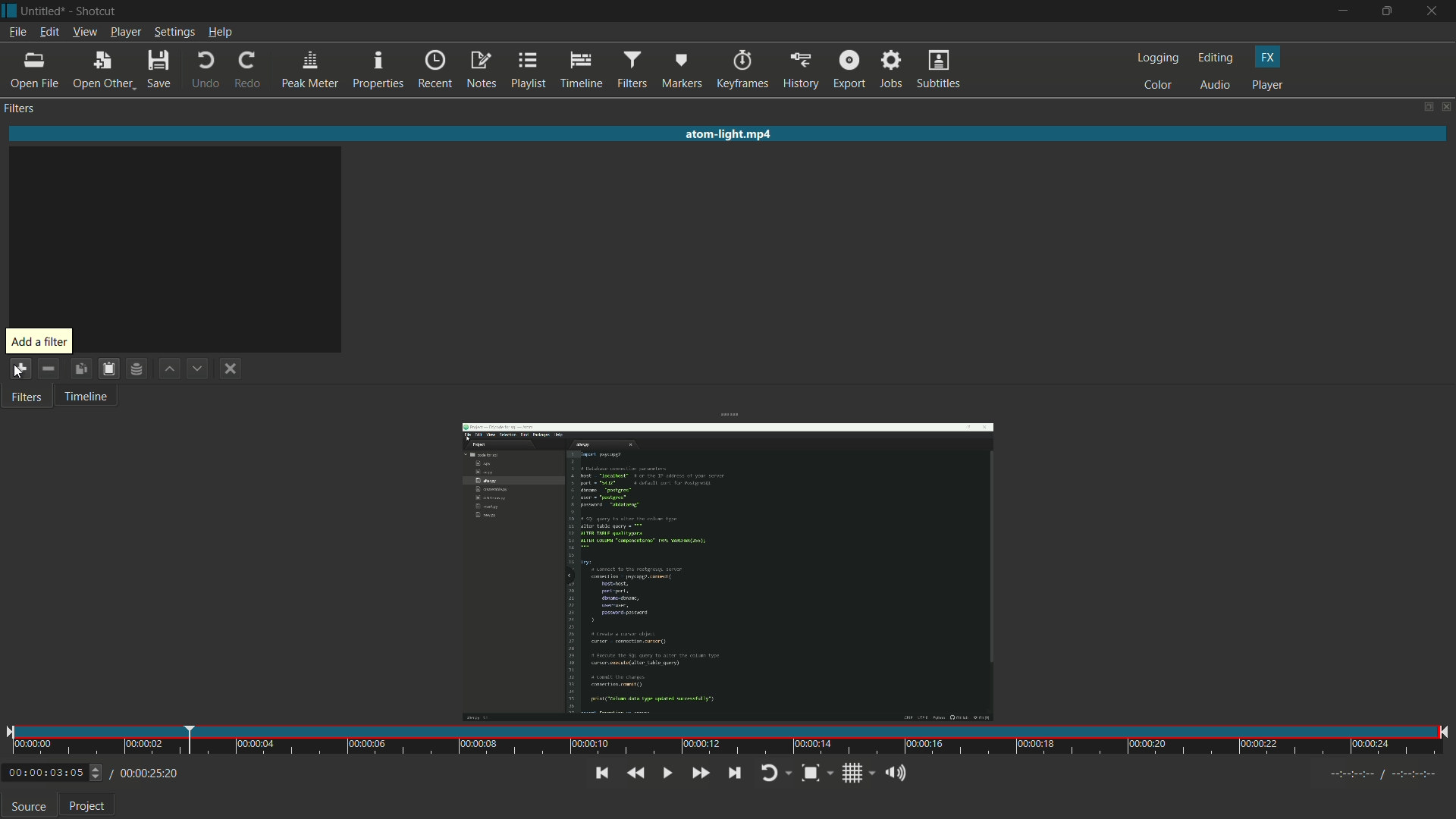 The image size is (1456, 819). What do you see at coordinates (667, 773) in the screenshot?
I see `toggle play or pause` at bounding box center [667, 773].